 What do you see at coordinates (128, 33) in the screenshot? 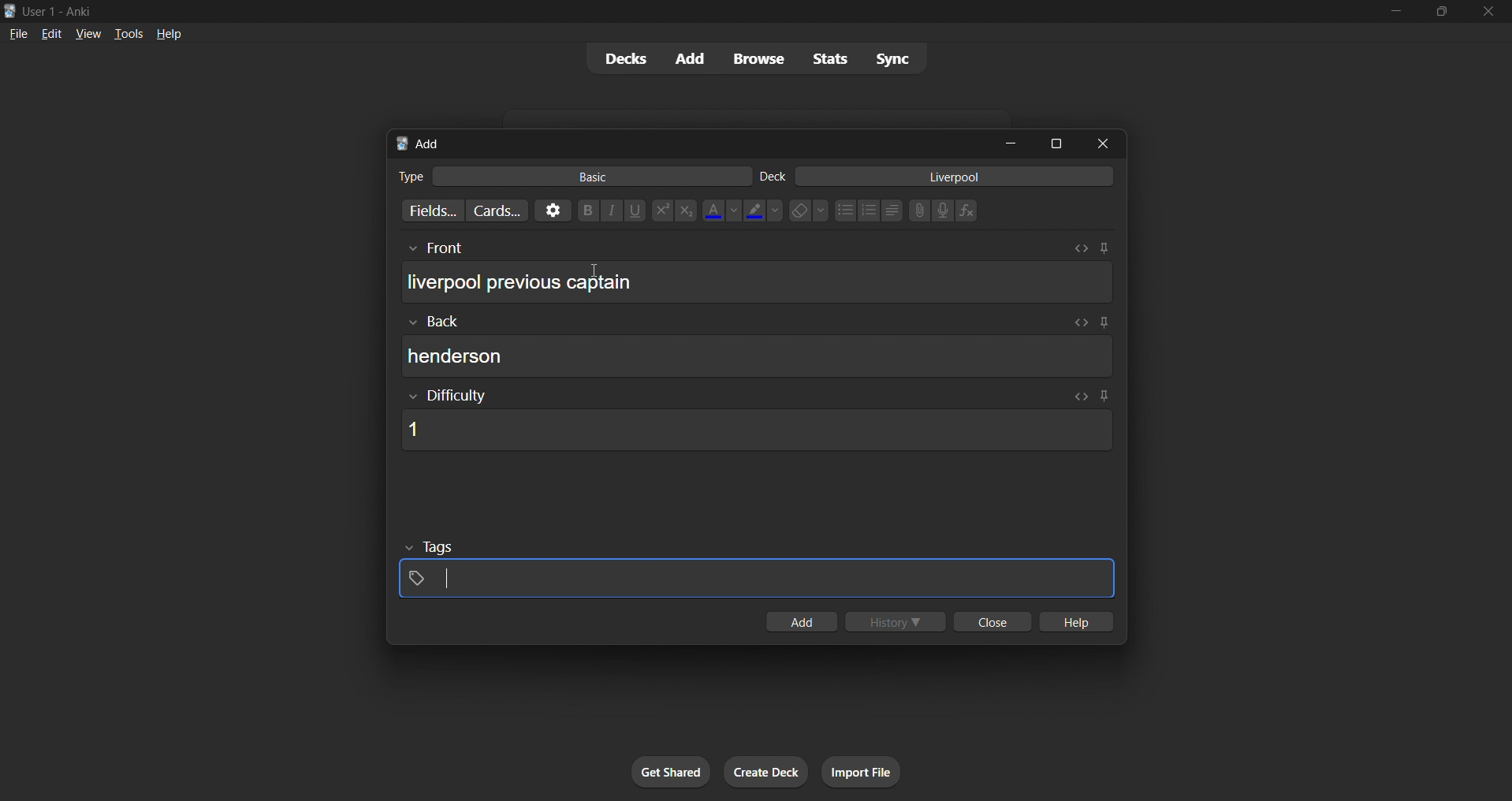
I see `tools` at bounding box center [128, 33].